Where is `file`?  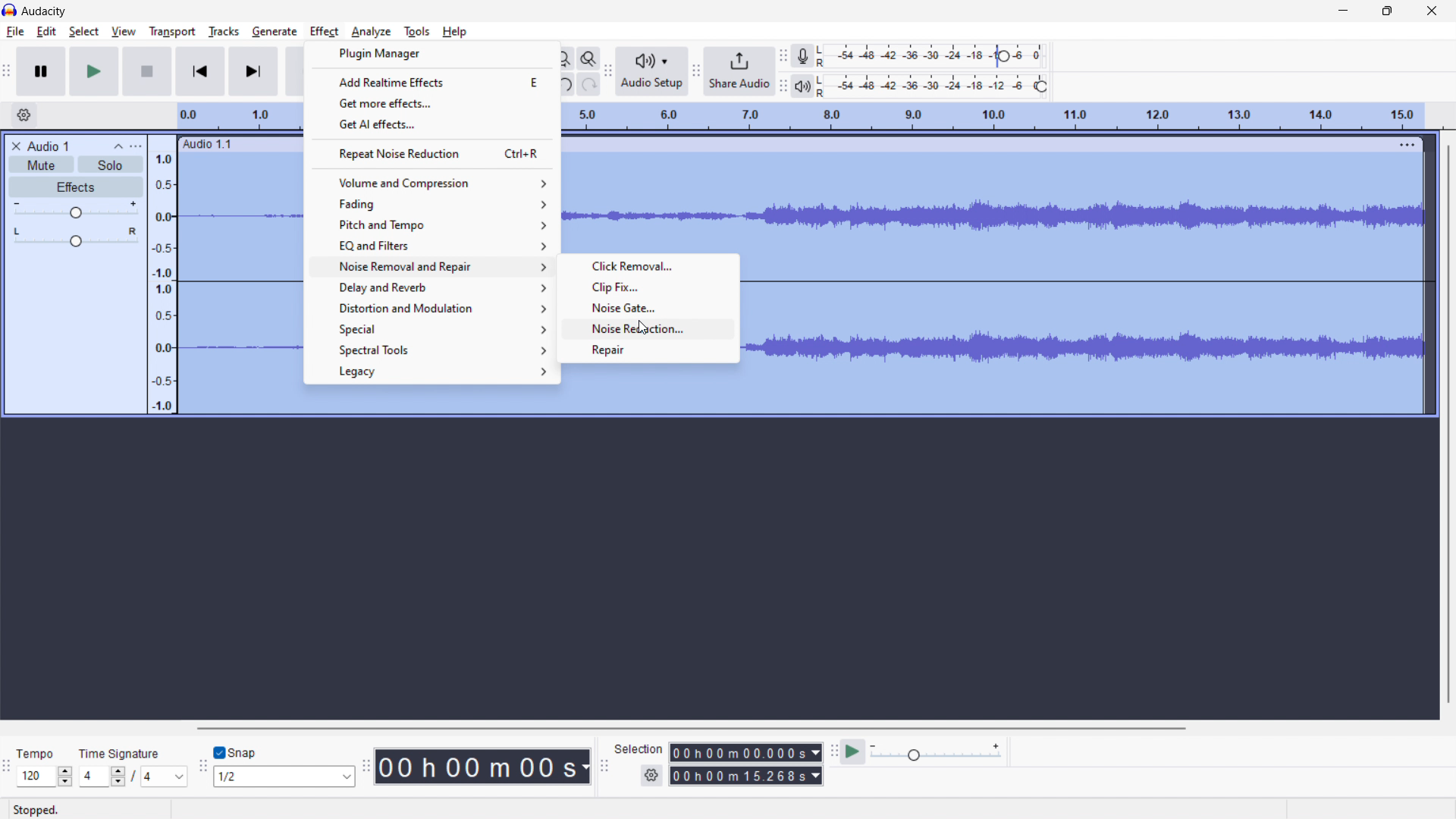 file is located at coordinates (15, 31).